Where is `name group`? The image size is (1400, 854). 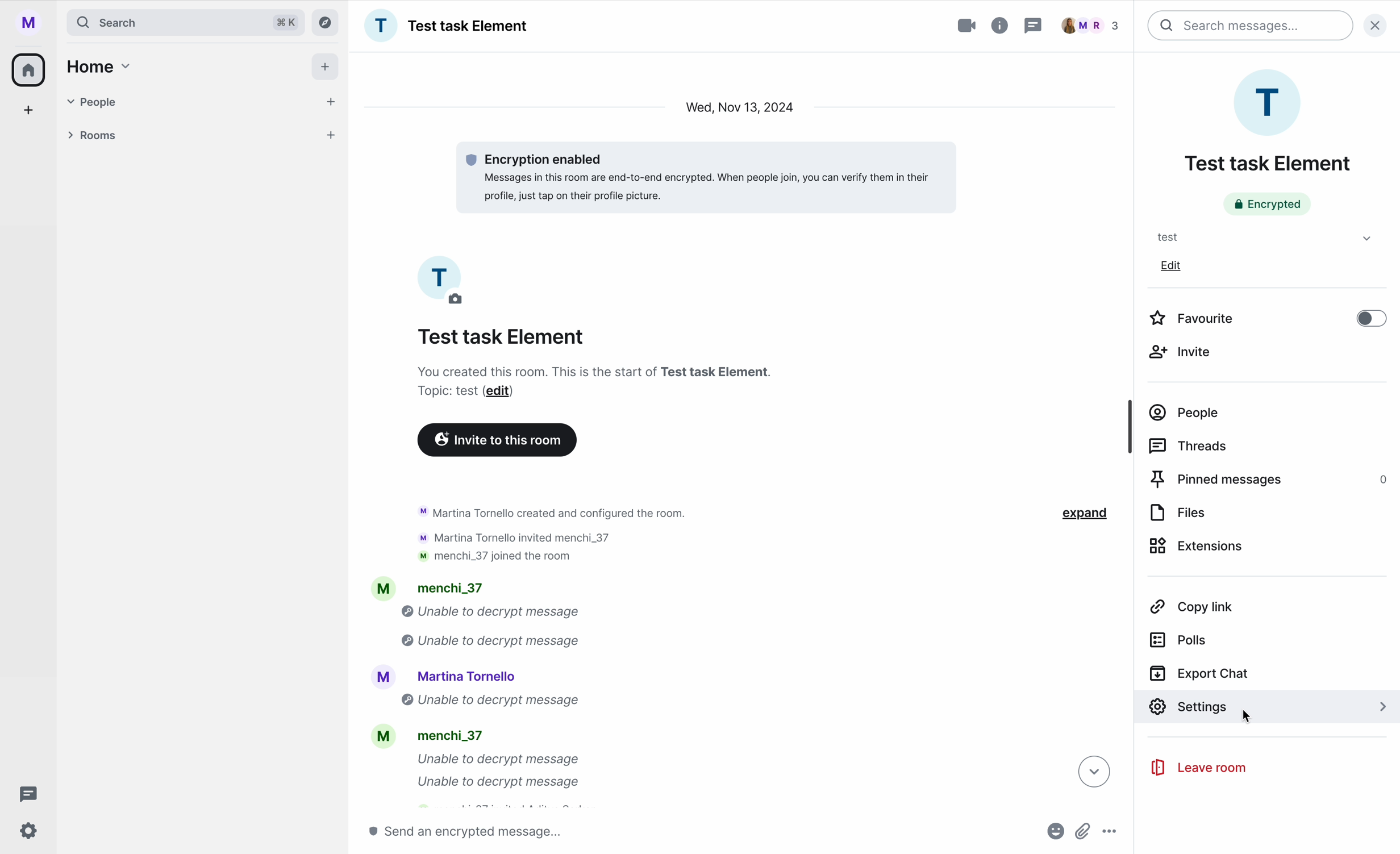 name group is located at coordinates (501, 338).